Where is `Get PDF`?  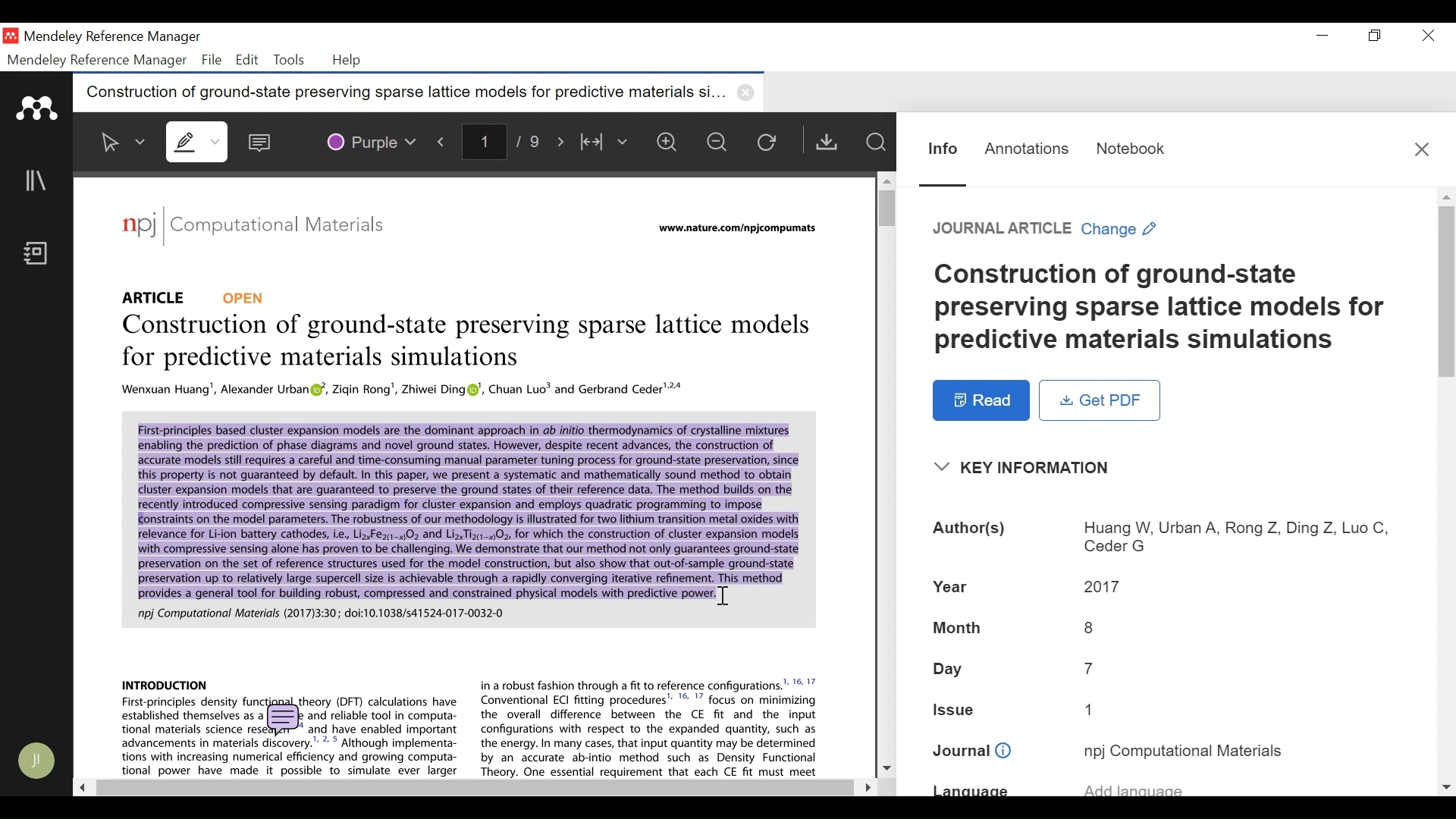
Get PDF is located at coordinates (826, 141).